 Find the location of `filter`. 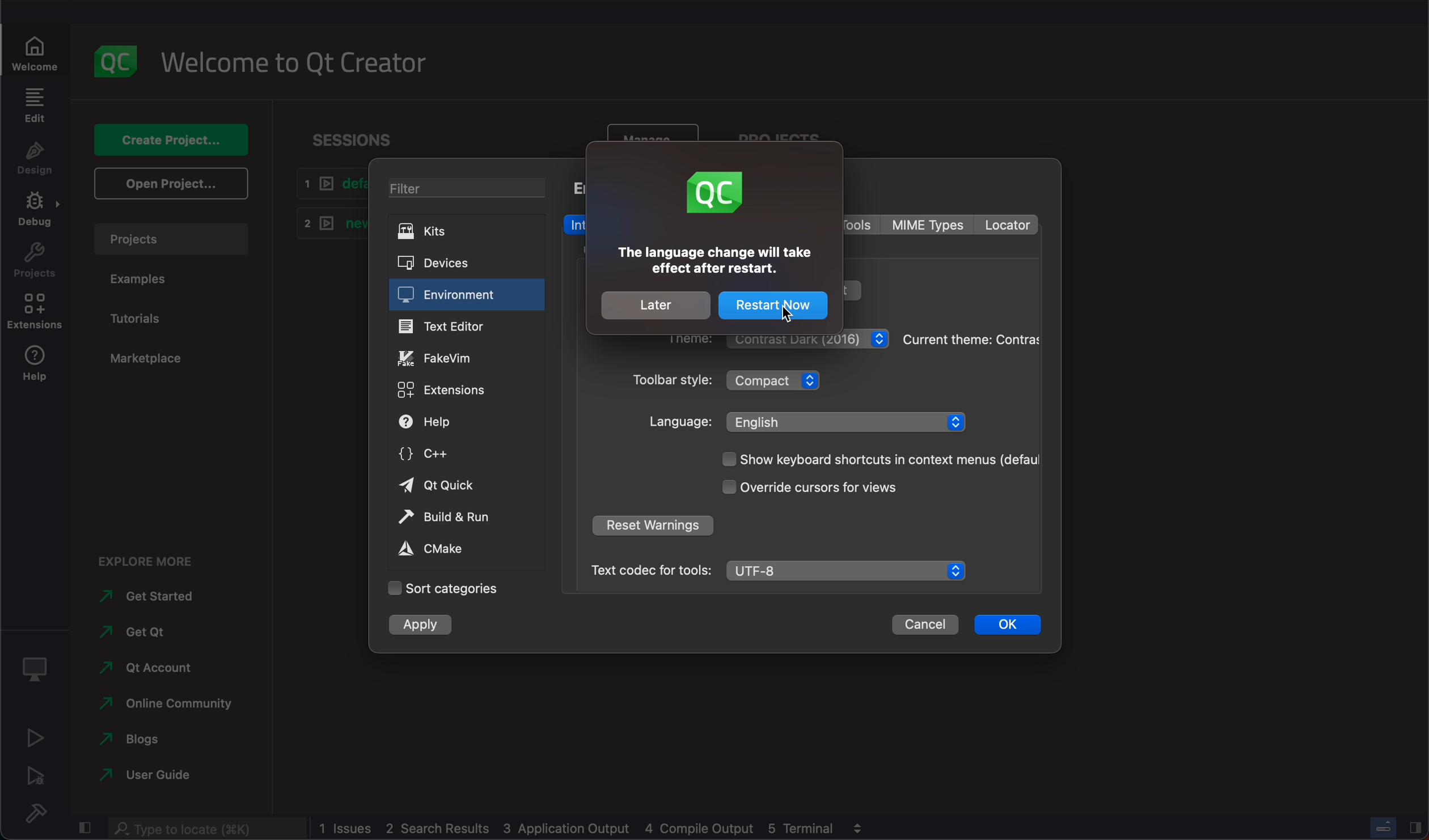

filter is located at coordinates (465, 188).